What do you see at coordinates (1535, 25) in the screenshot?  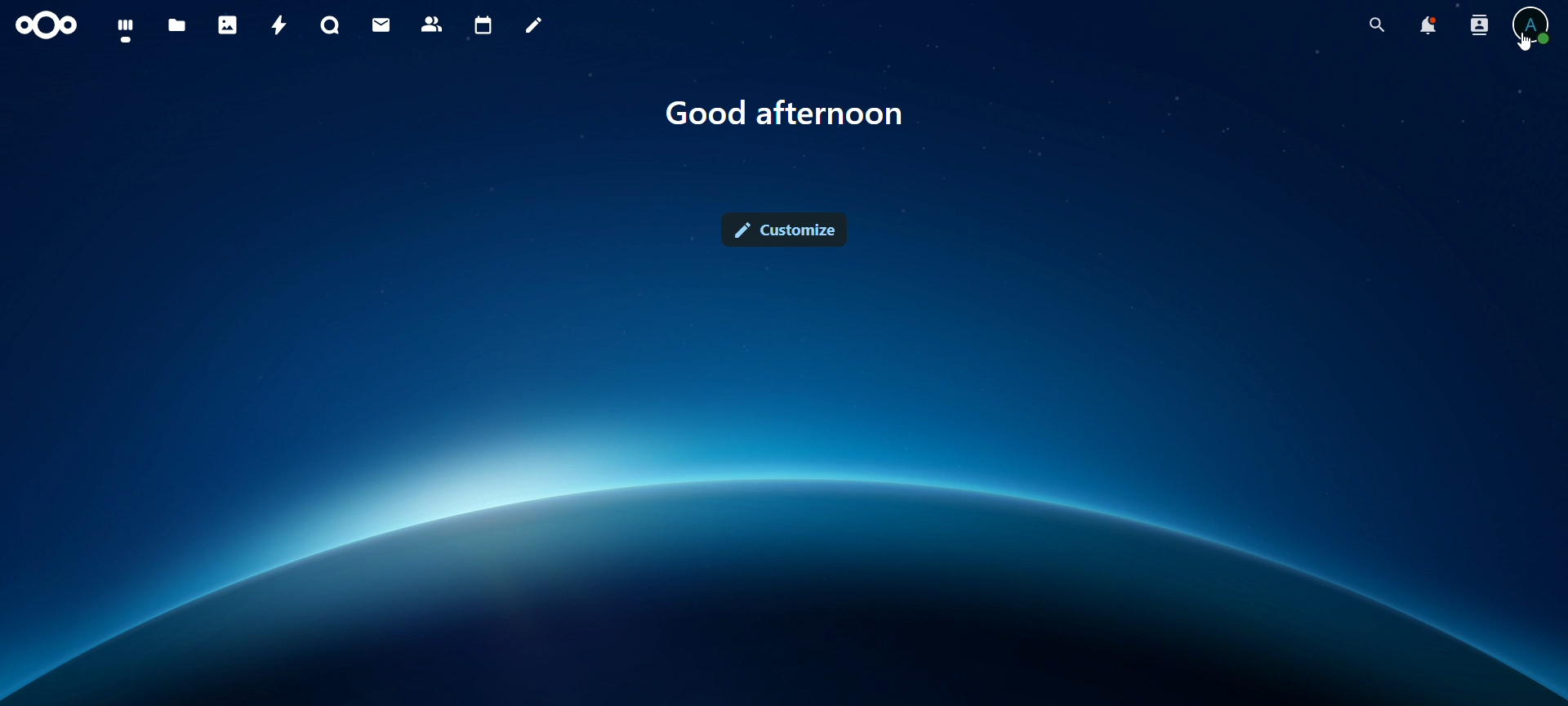 I see `view profile` at bounding box center [1535, 25].